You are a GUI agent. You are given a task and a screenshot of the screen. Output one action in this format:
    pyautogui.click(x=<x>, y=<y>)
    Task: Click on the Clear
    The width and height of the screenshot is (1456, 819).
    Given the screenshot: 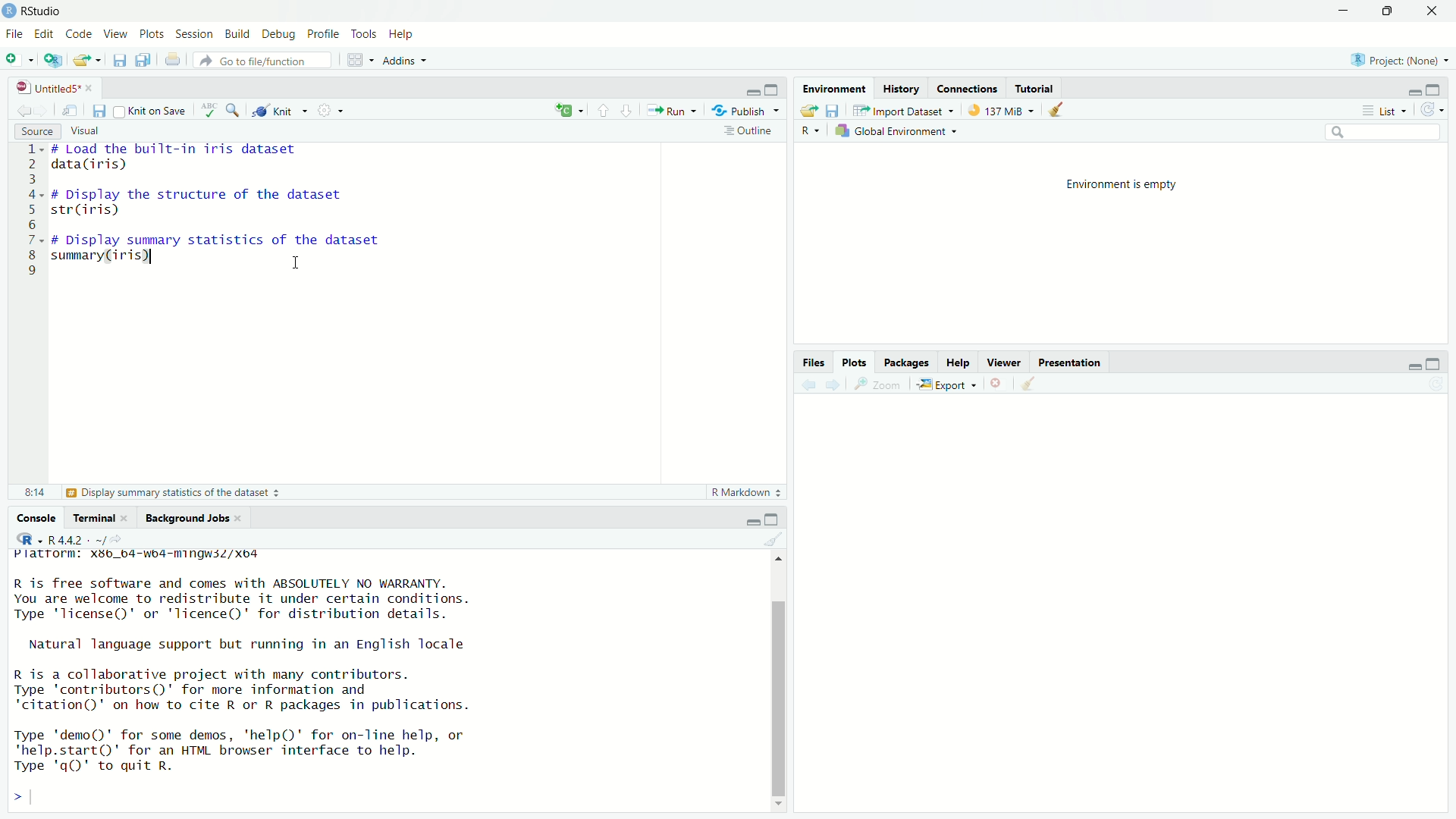 What is the action you would take?
    pyautogui.click(x=1059, y=110)
    